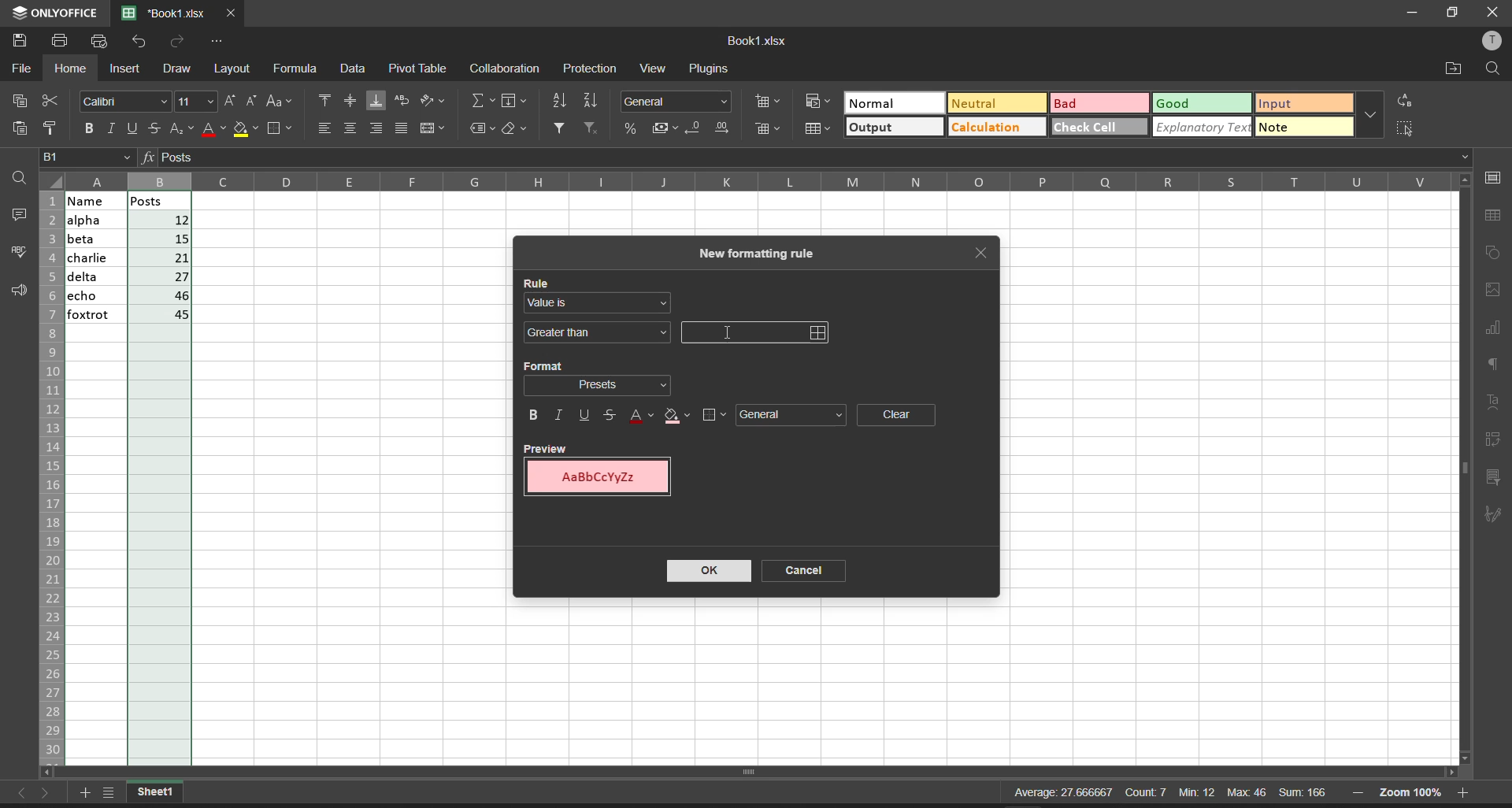 The image size is (1512, 808). What do you see at coordinates (57, 182) in the screenshot?
I see `select all` at bounding box center [57, 182].